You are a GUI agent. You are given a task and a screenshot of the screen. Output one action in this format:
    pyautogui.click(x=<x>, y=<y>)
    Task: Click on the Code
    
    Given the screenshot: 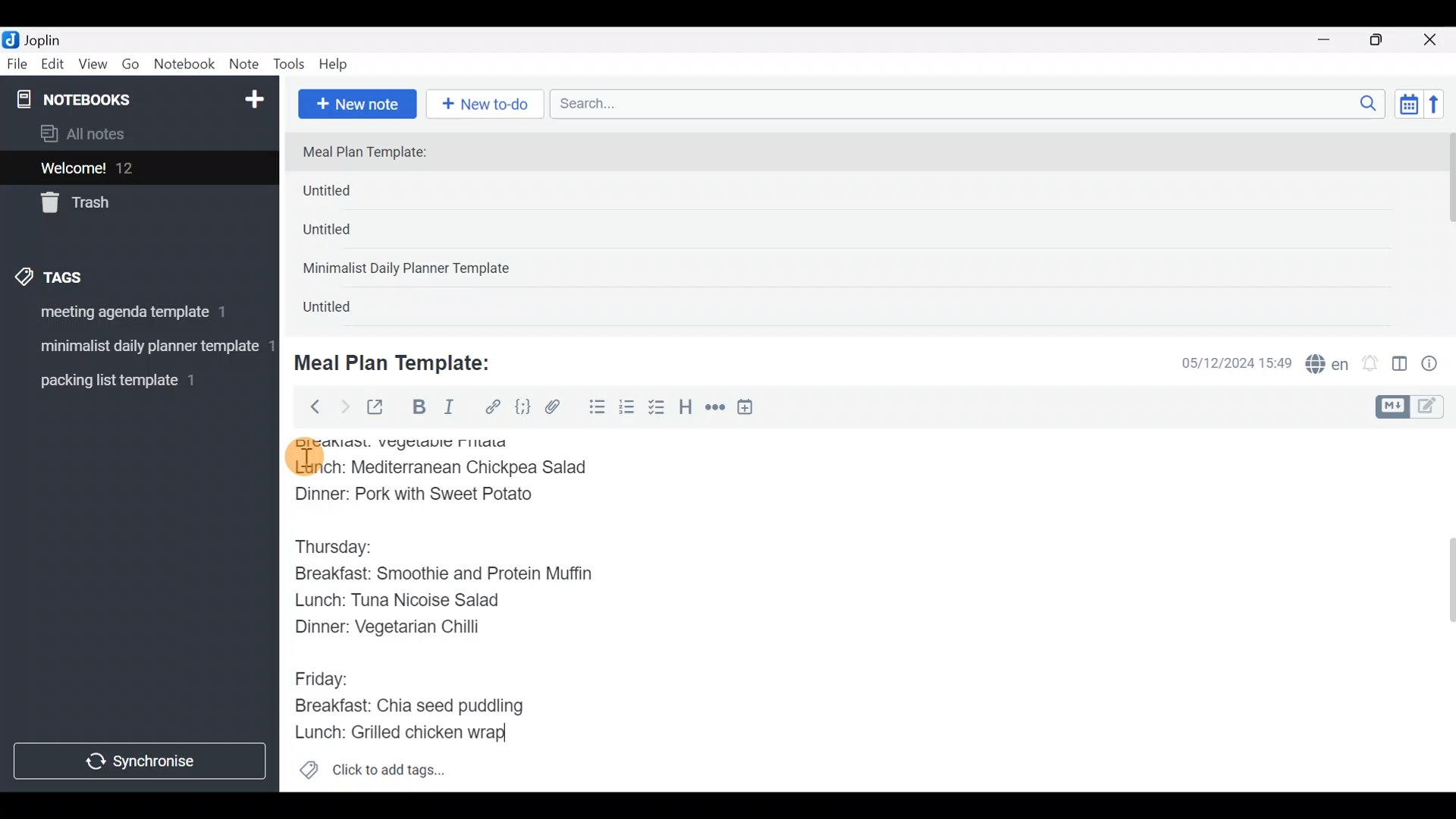 What is the action you would take?
    pyautogui.click(x=521, y=406)
    